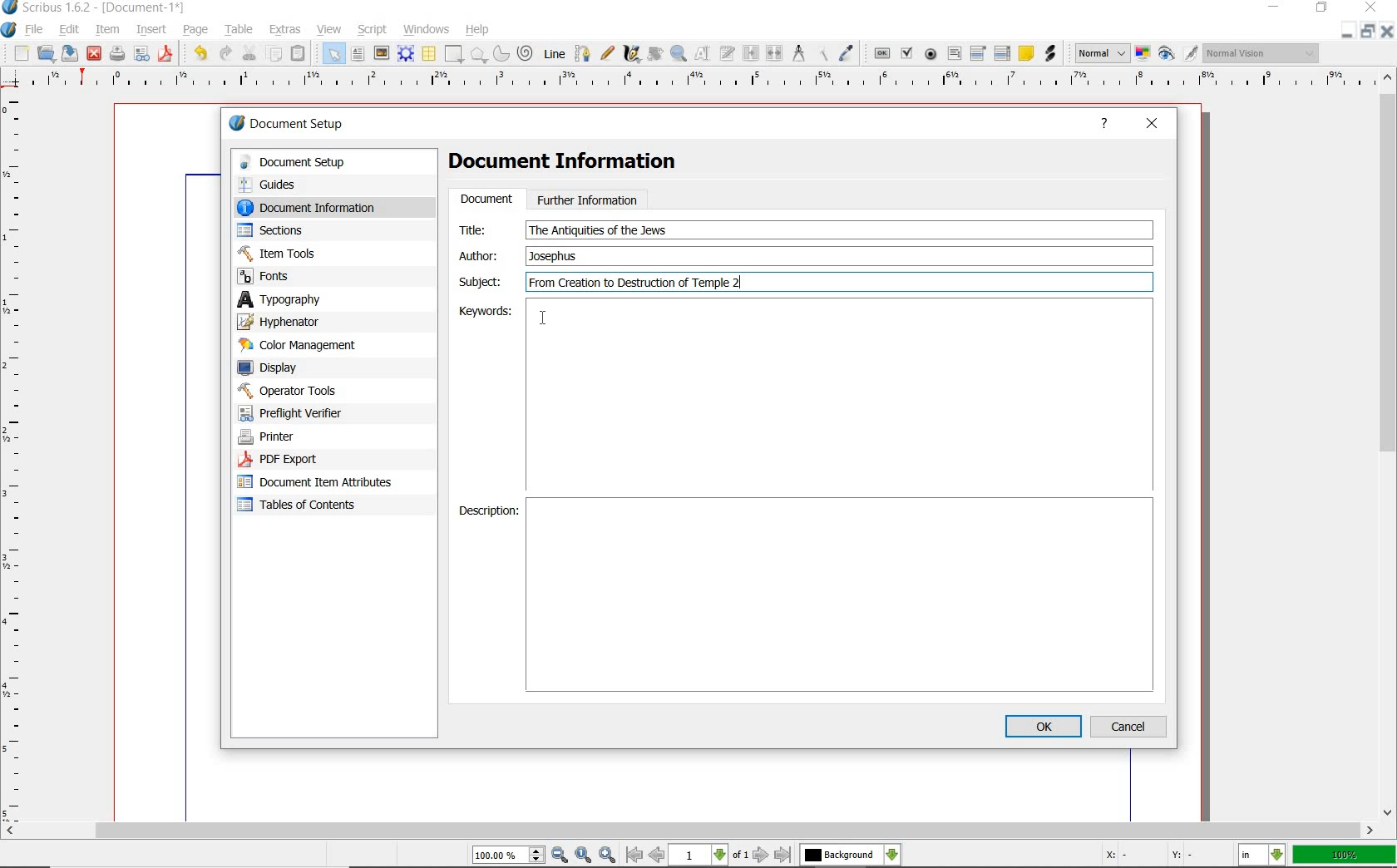 Image resolution: width=1397 pixels, height=868 pixels. What do you see at coordinates (1343, 856) in the screenshot?
I see `zoom factor` at bounding box center [1343, 856].